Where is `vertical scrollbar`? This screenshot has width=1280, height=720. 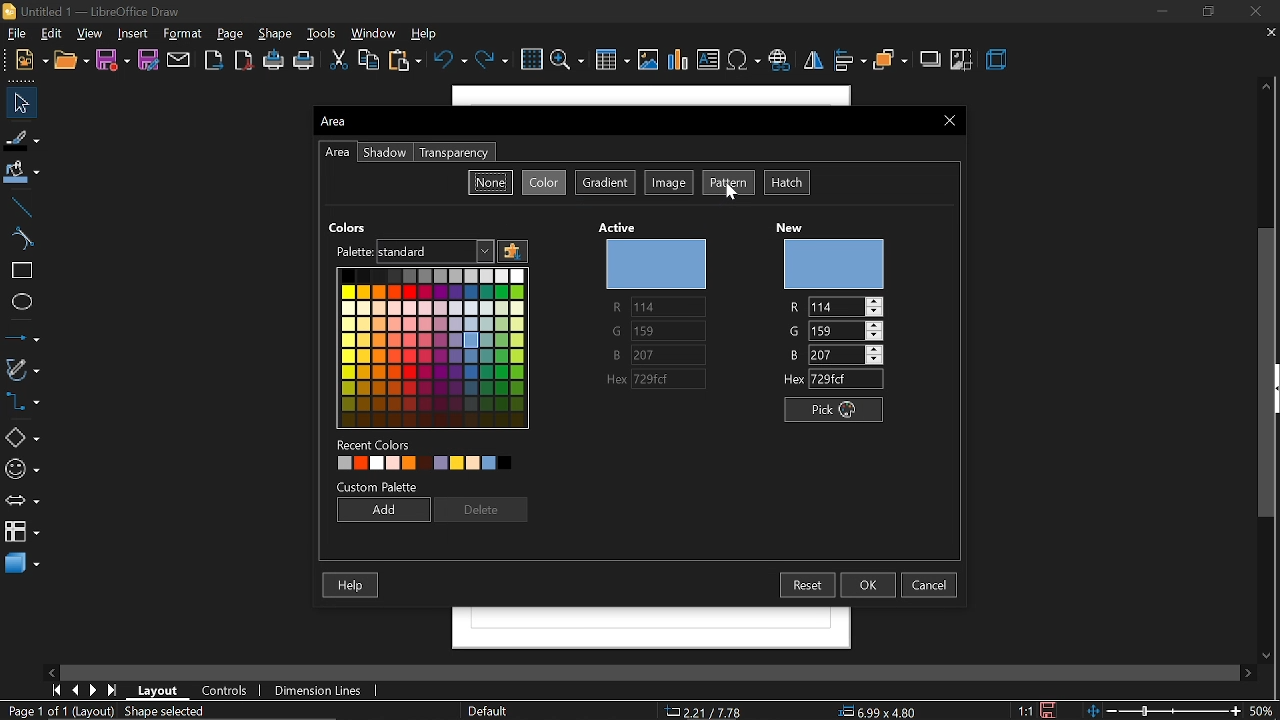 vertical scrollbar is located at coordinates (1269, 372).